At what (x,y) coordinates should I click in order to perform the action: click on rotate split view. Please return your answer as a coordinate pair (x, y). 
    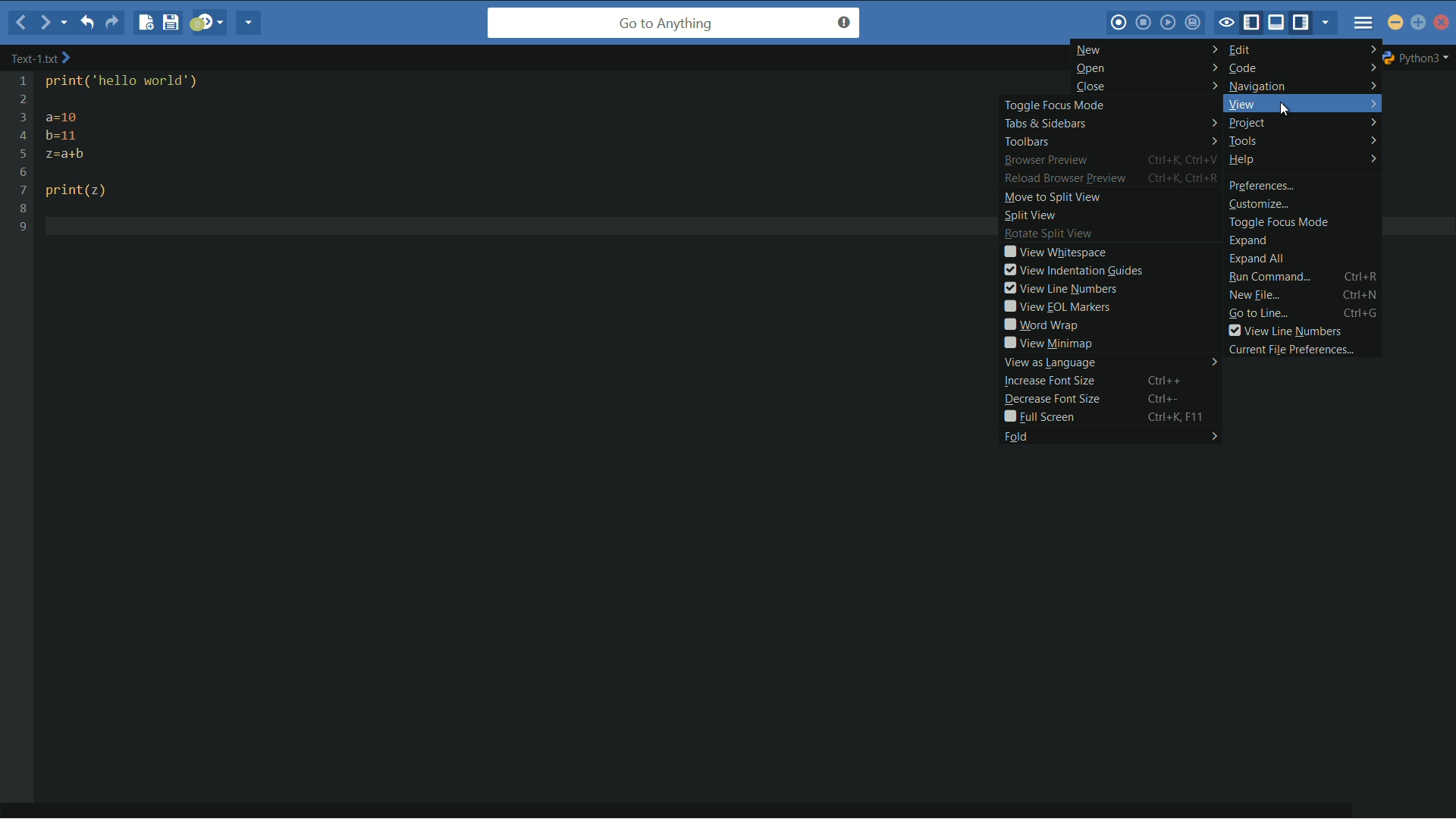
    Looking at the image, I should click on (1049, 235).